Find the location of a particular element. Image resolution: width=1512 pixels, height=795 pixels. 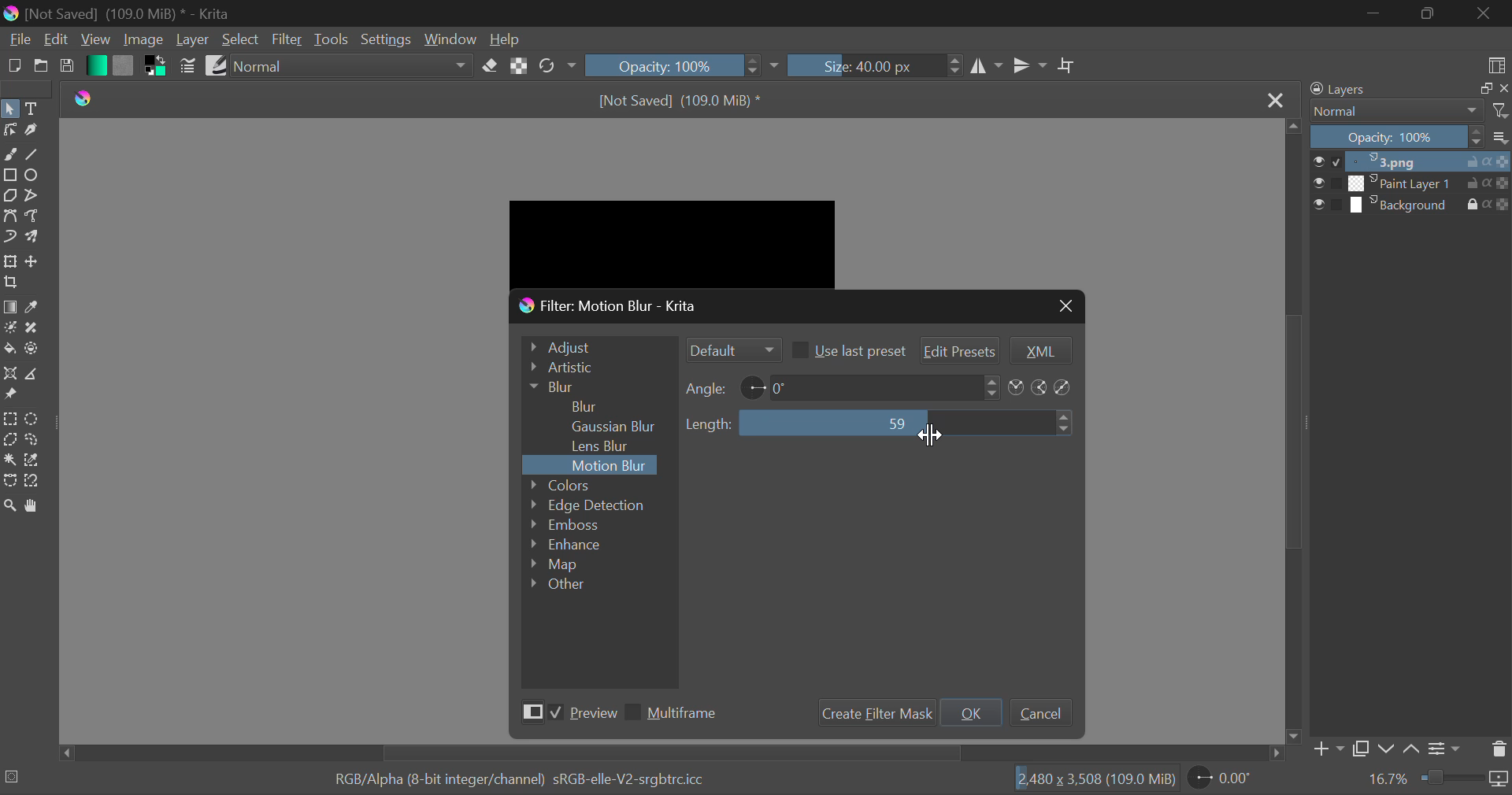

Polygons is located at coordinates (9, 196).